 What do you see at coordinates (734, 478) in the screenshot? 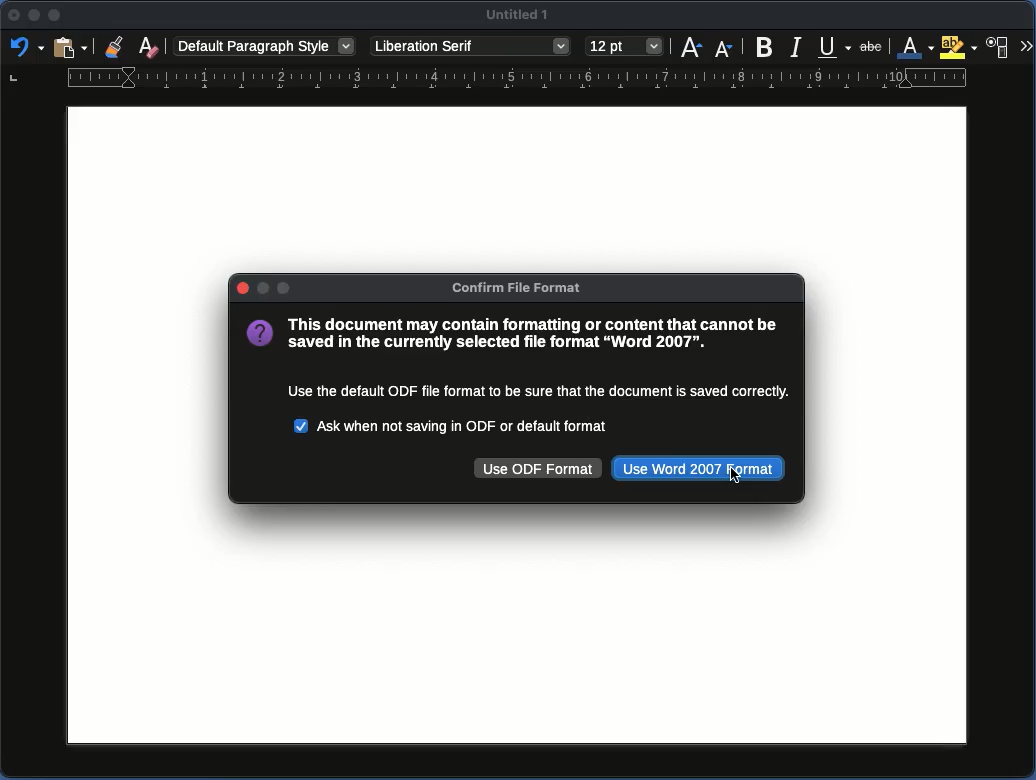
I see `Cursor` at bounding box center [734, 478].